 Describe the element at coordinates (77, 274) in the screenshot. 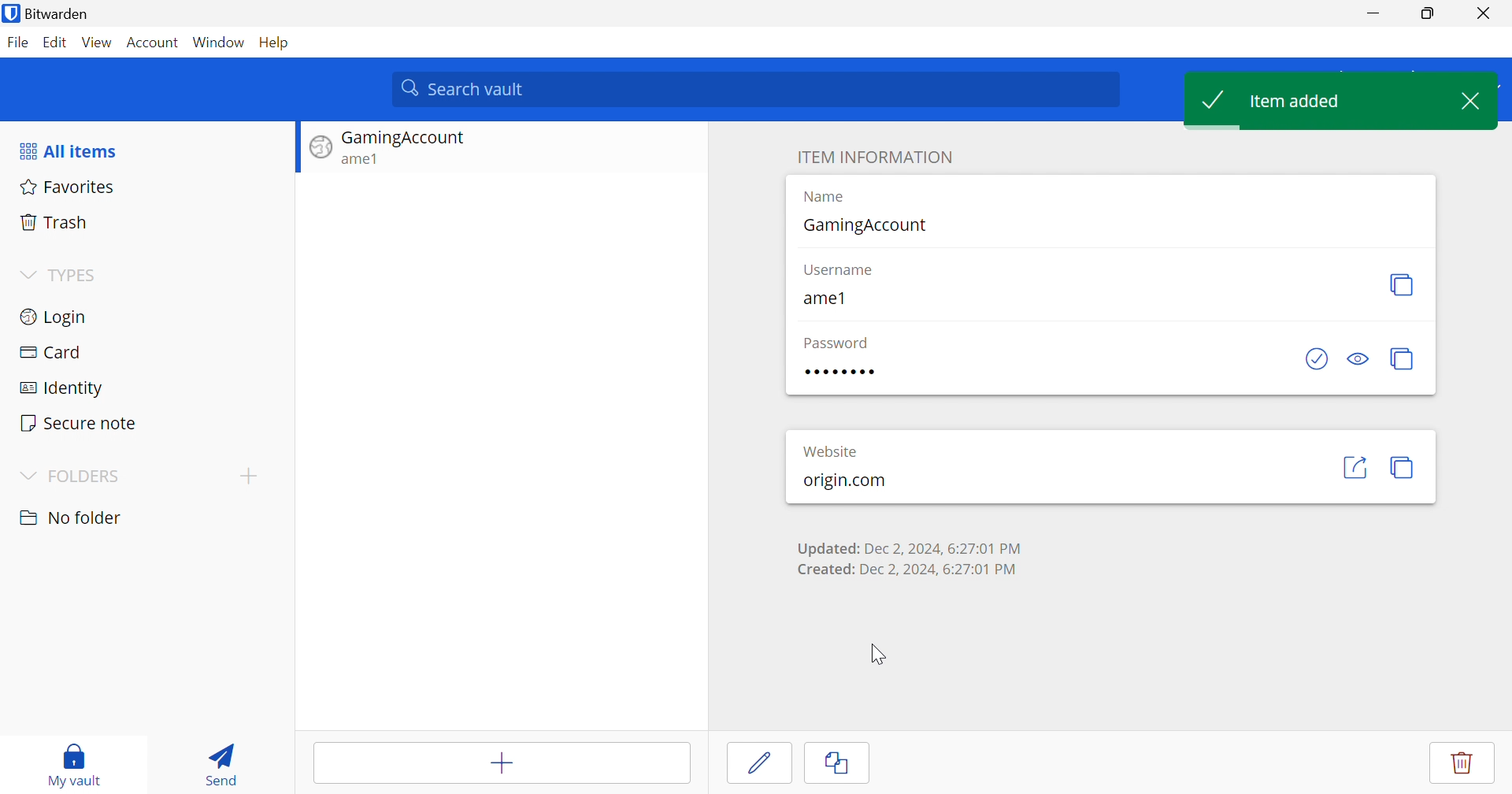

I see `TYPES` at that location.